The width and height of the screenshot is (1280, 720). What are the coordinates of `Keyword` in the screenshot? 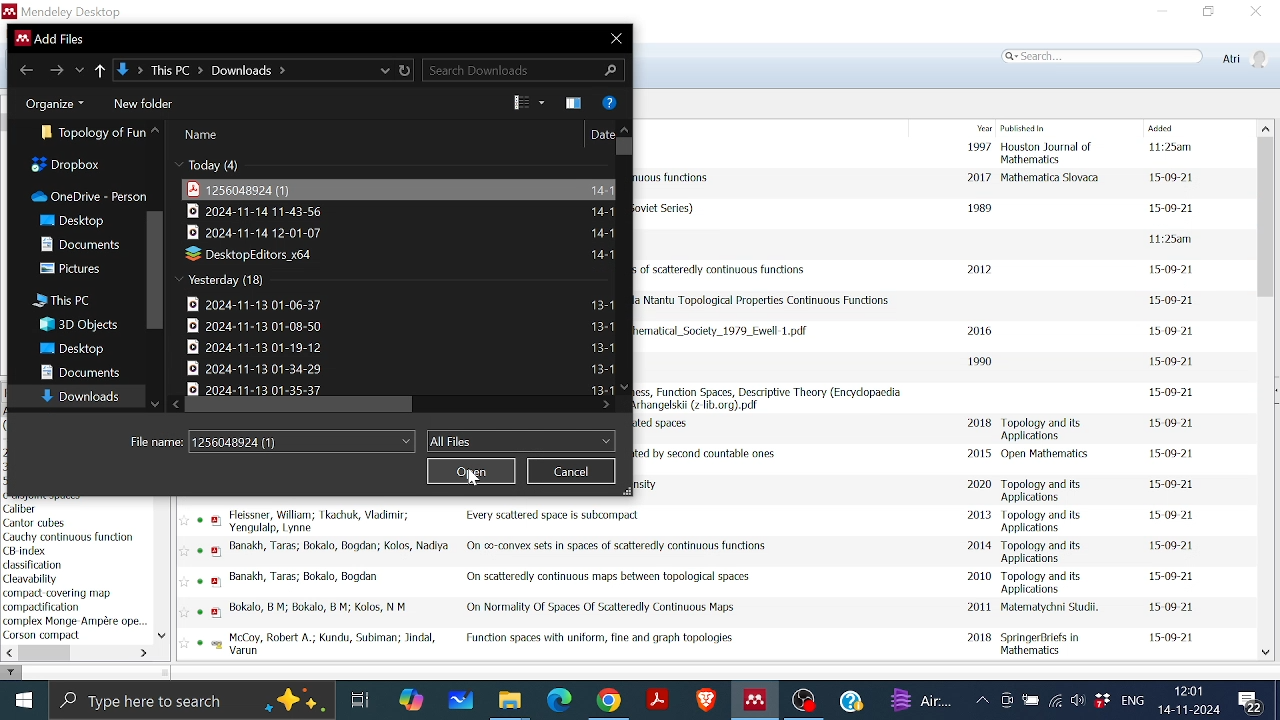 It's located at (70, 623).